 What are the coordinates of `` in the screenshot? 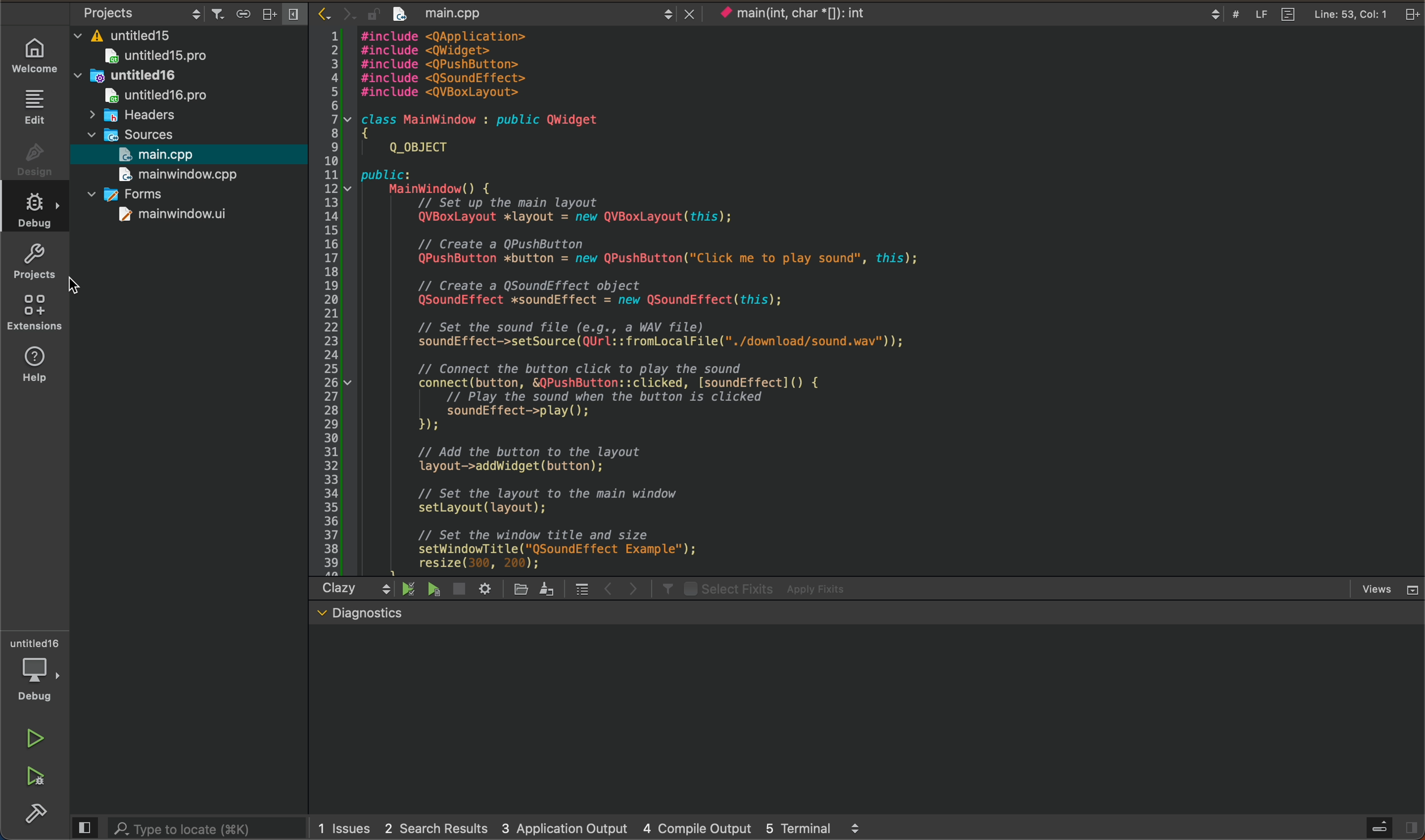 It's located at (153, 95).